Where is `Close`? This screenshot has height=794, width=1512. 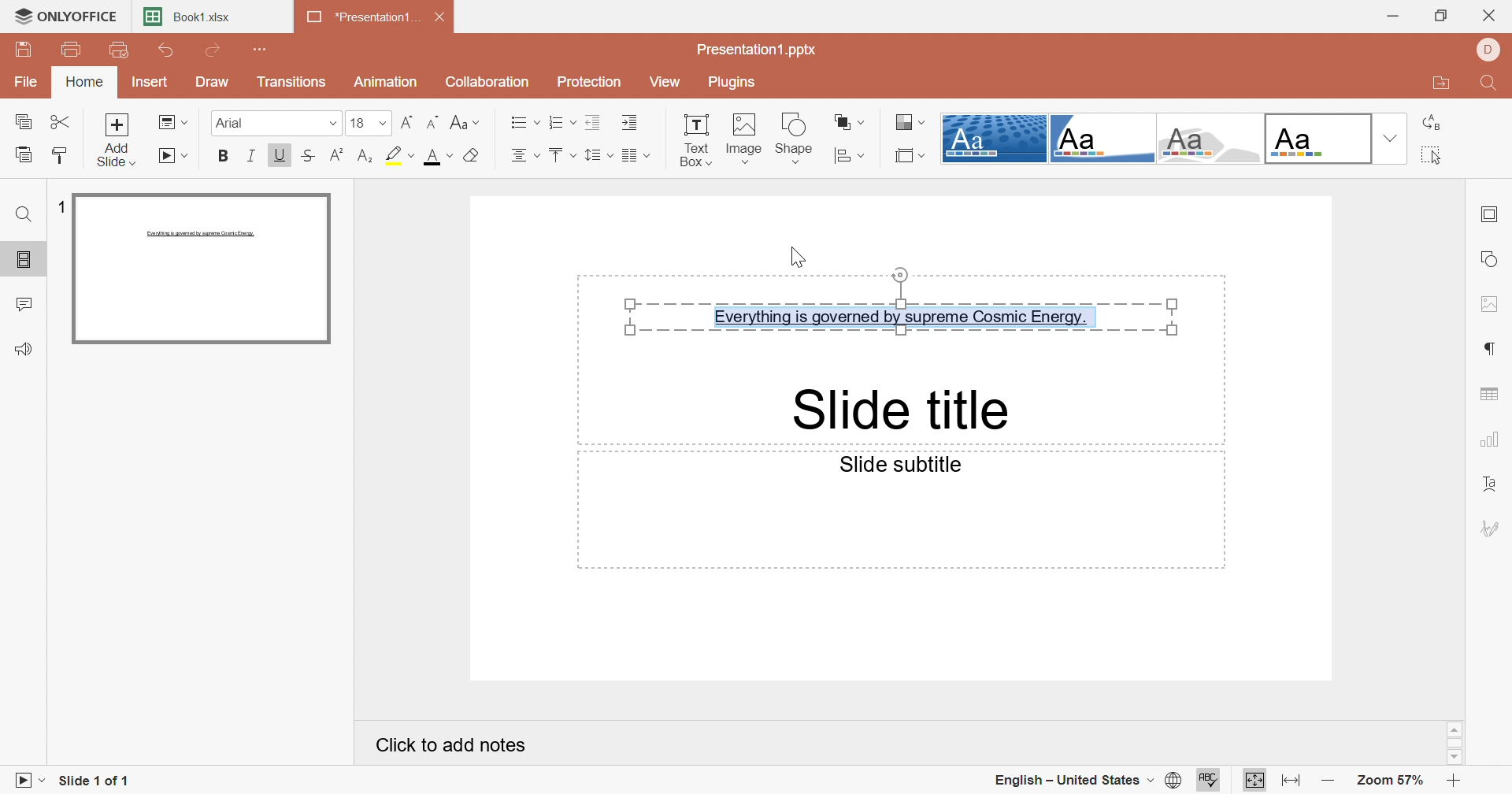
Close is located at coordinates (443, 17).